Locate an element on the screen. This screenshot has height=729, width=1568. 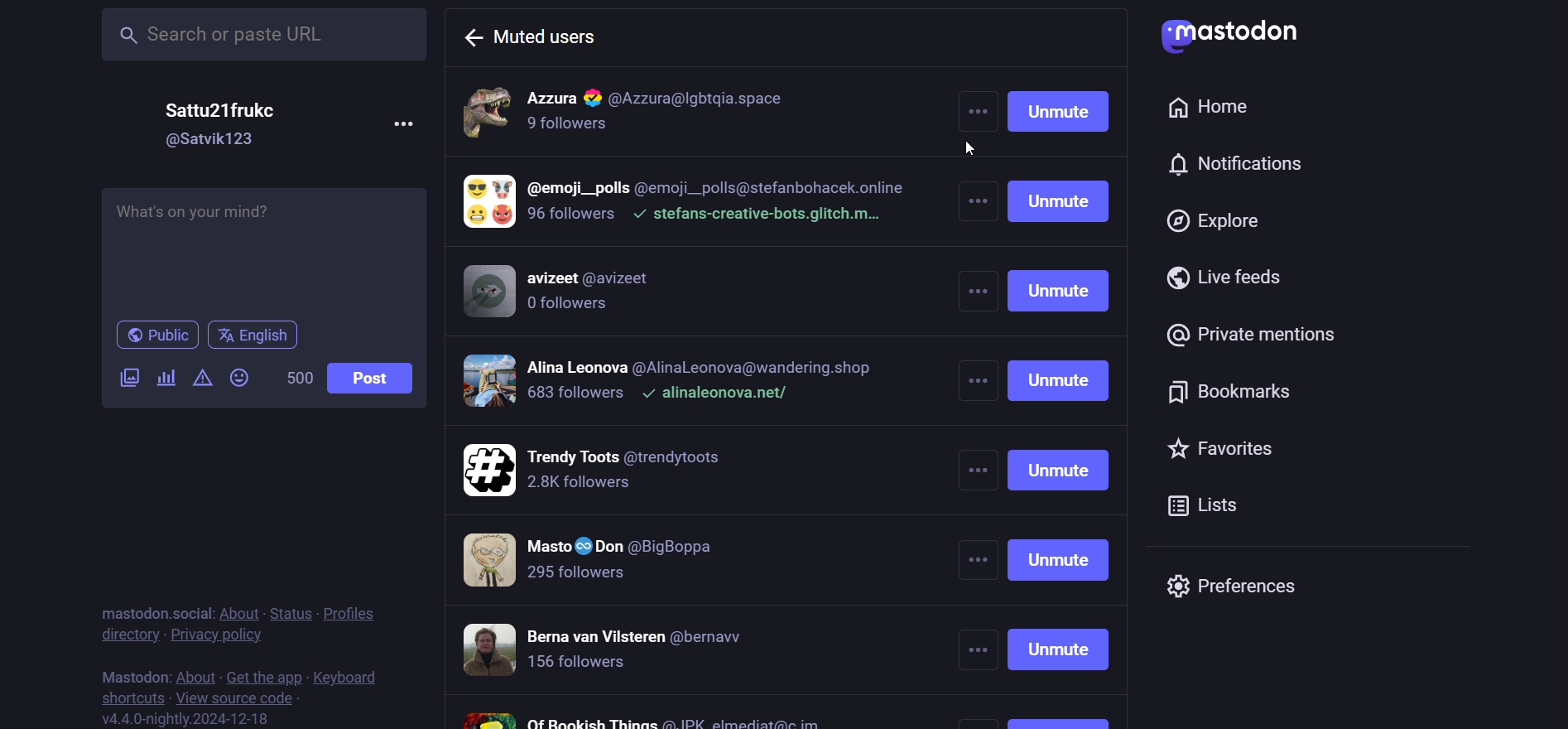
favorites is located at coordinates (1223, 451).